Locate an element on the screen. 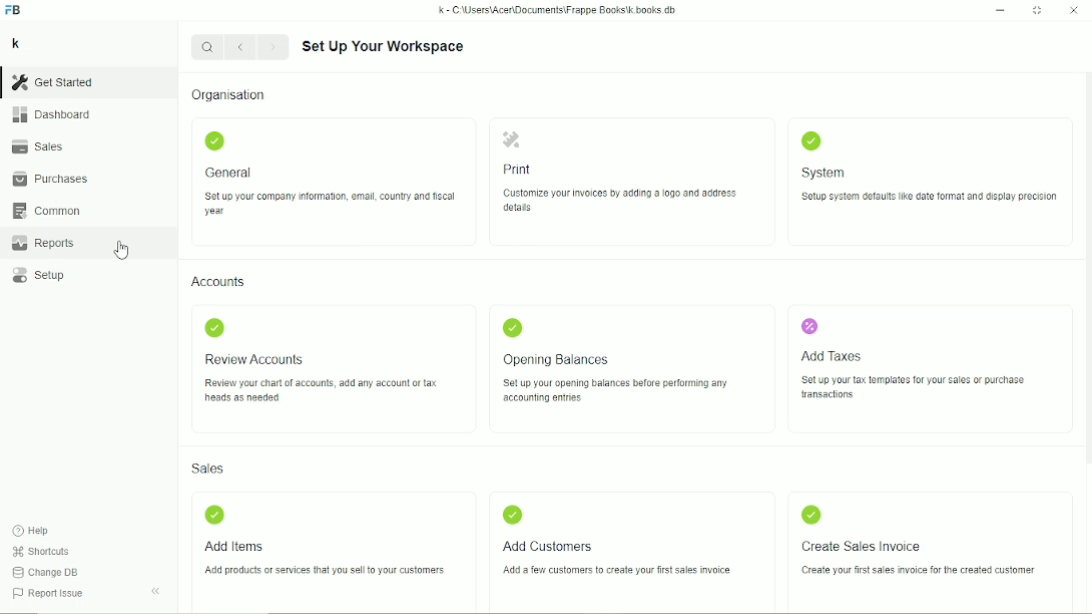 The width and height of the screenshot is (1092, 614). FB is located at coordinates (13, 10).